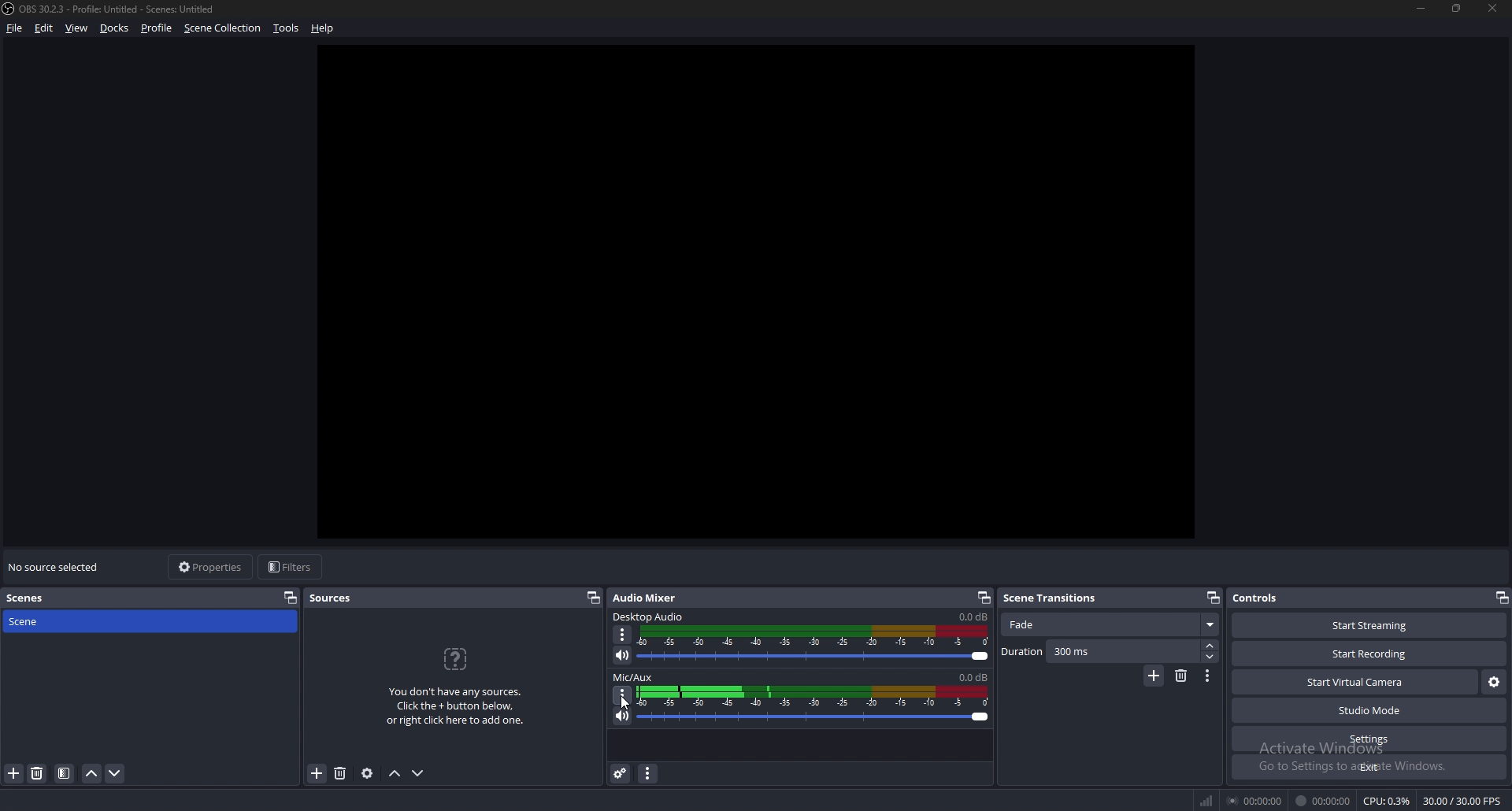  Describe the element at coordinates (984, 598) in the screenshot. I see `pop out` at that location.